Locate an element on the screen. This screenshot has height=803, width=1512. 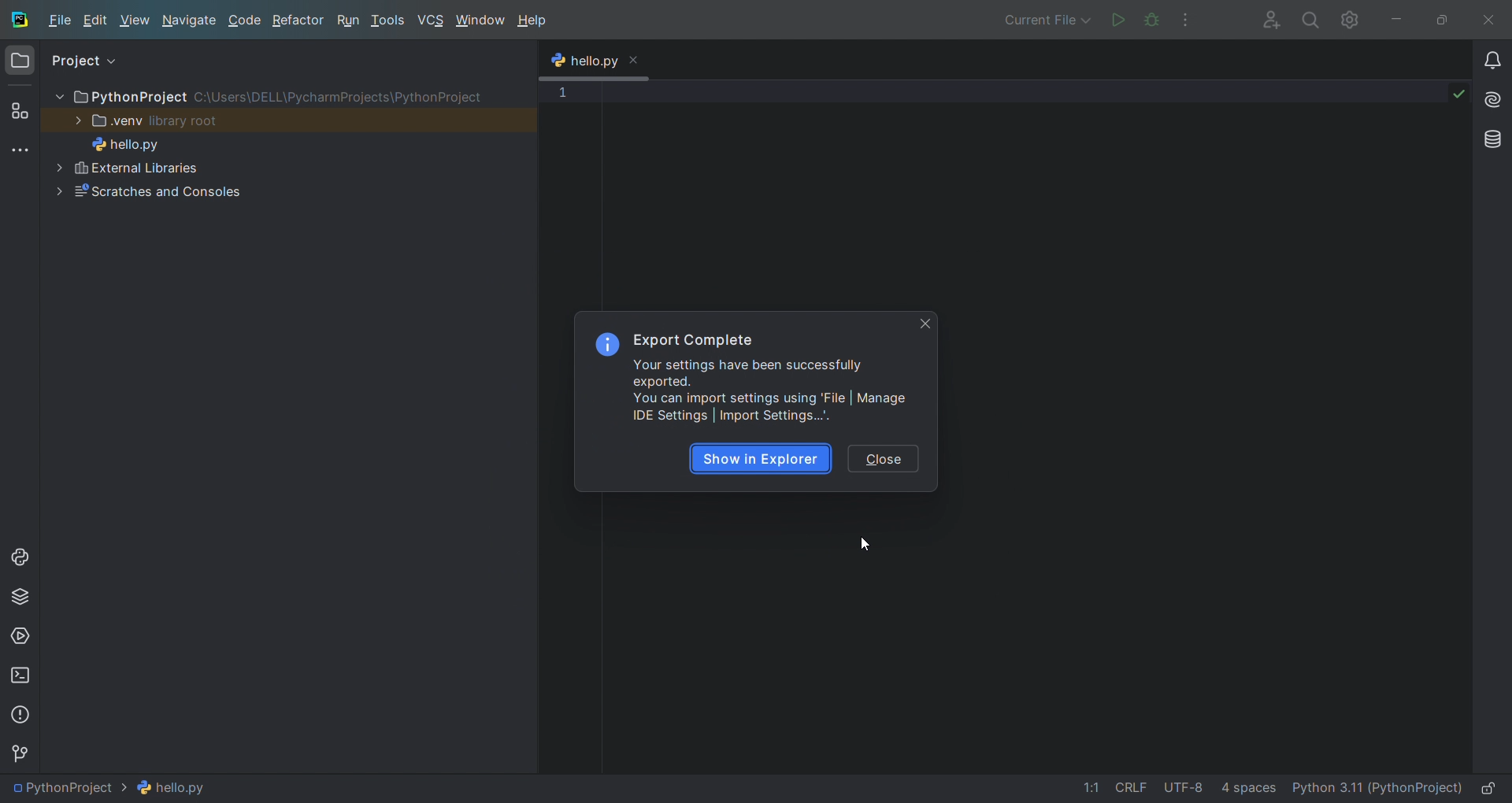
minimize is located at coordinates (1395, 18).